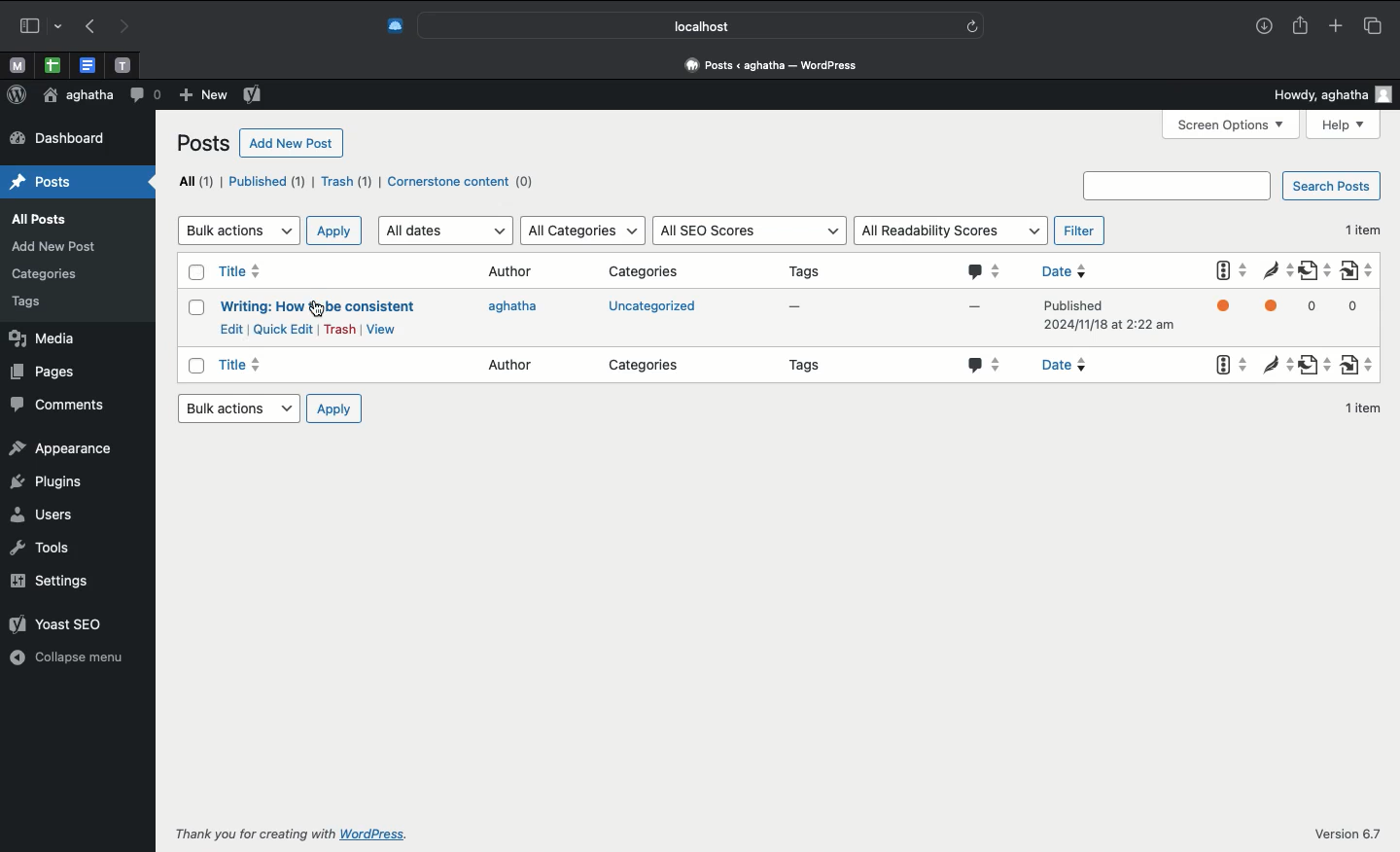 Image resolution: width=1400 pixels, height=852 pixels. What do you see at coordinates (34, 303) in the screenshot?
I see `tags` at bounding box center [34, 303].